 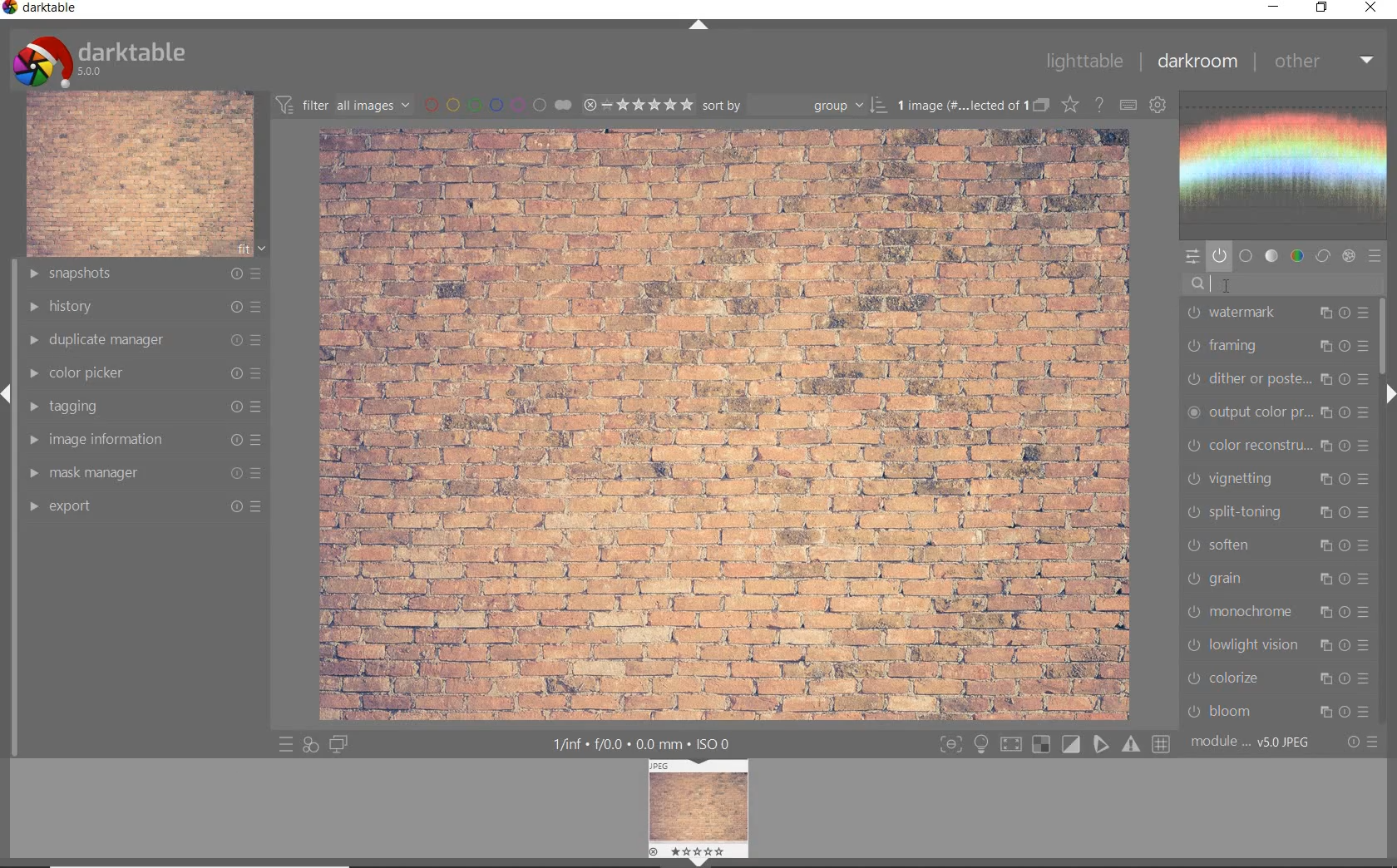 What do you see at coordinates (283, 744) in the screenshot?
I see `quick access to preset` at bounding box center [283, 744].